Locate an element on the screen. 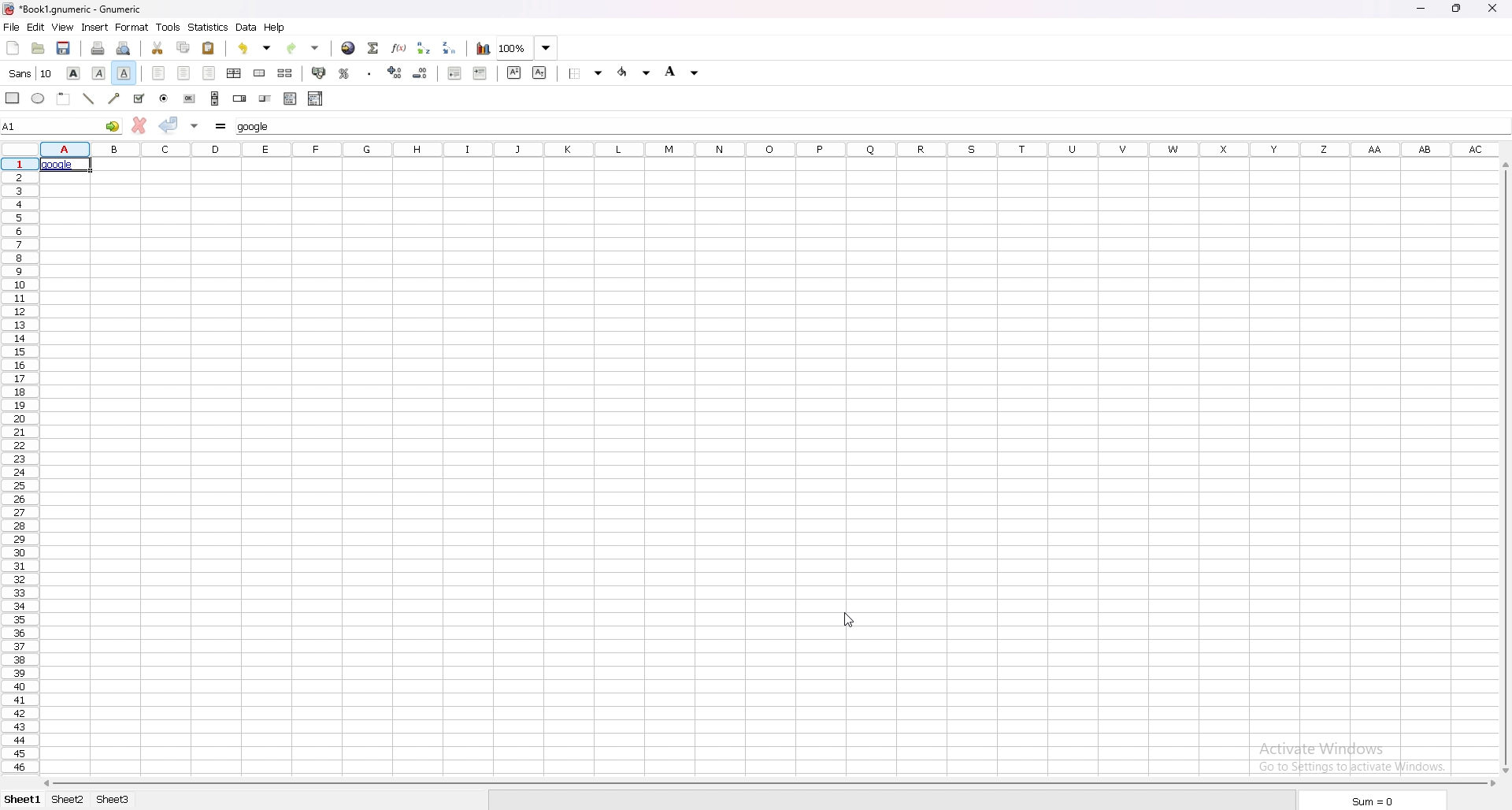  ellipse is located at coordinates (39, 98).